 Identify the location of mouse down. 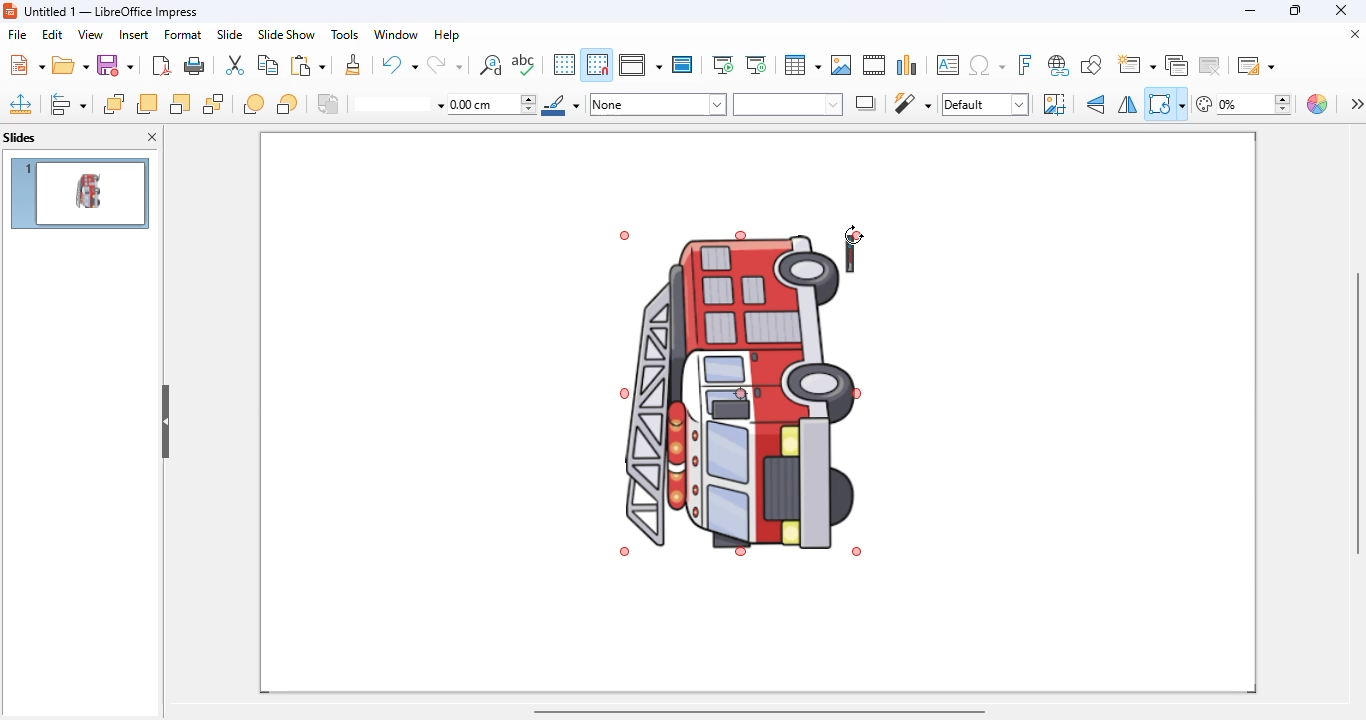
(854, 235).